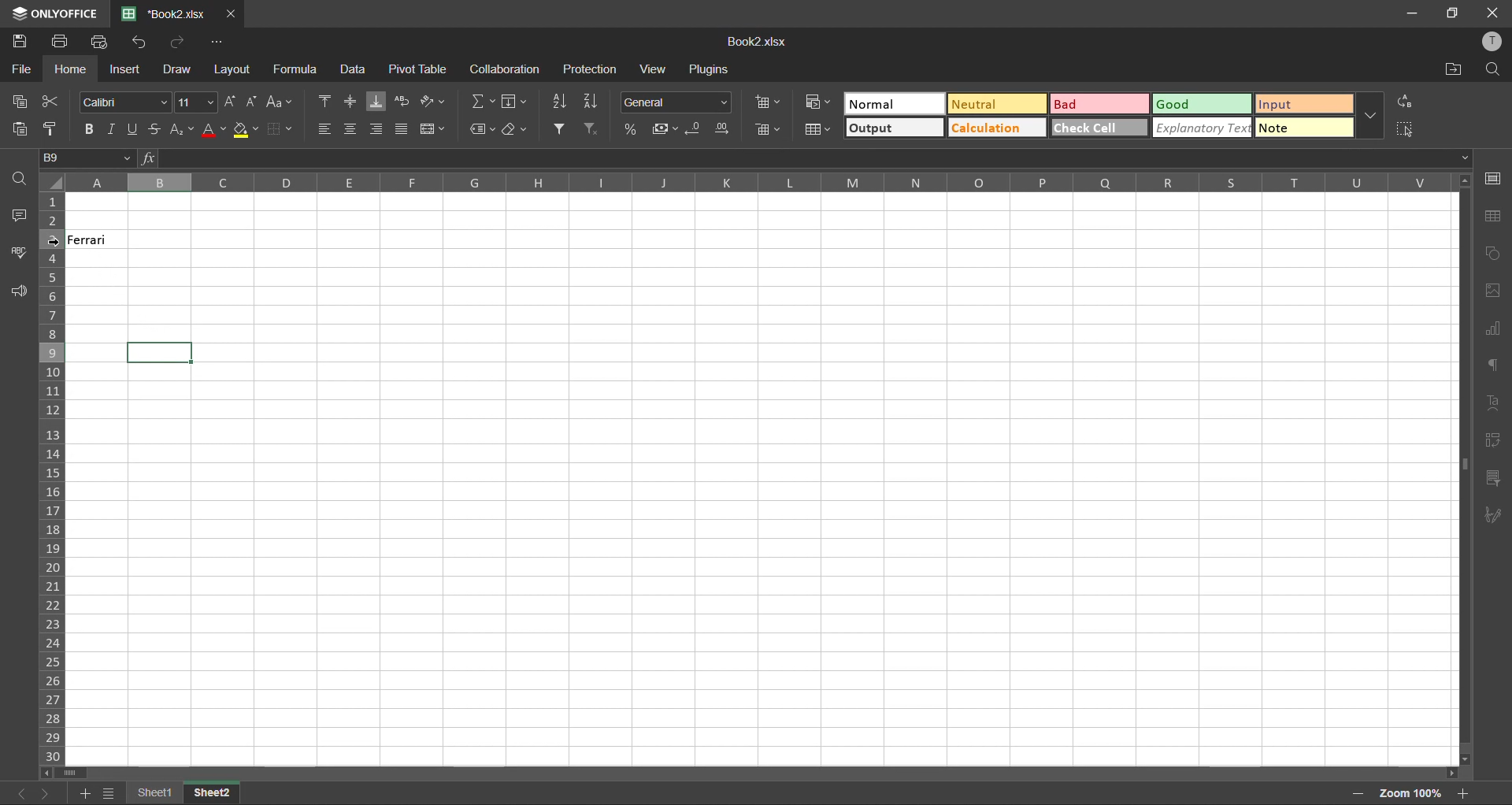 The width and height of the screenshot is (1512, 805). Describe the element at coordinates (52, 476) in the screenshot. I see `row numbers` at that location.